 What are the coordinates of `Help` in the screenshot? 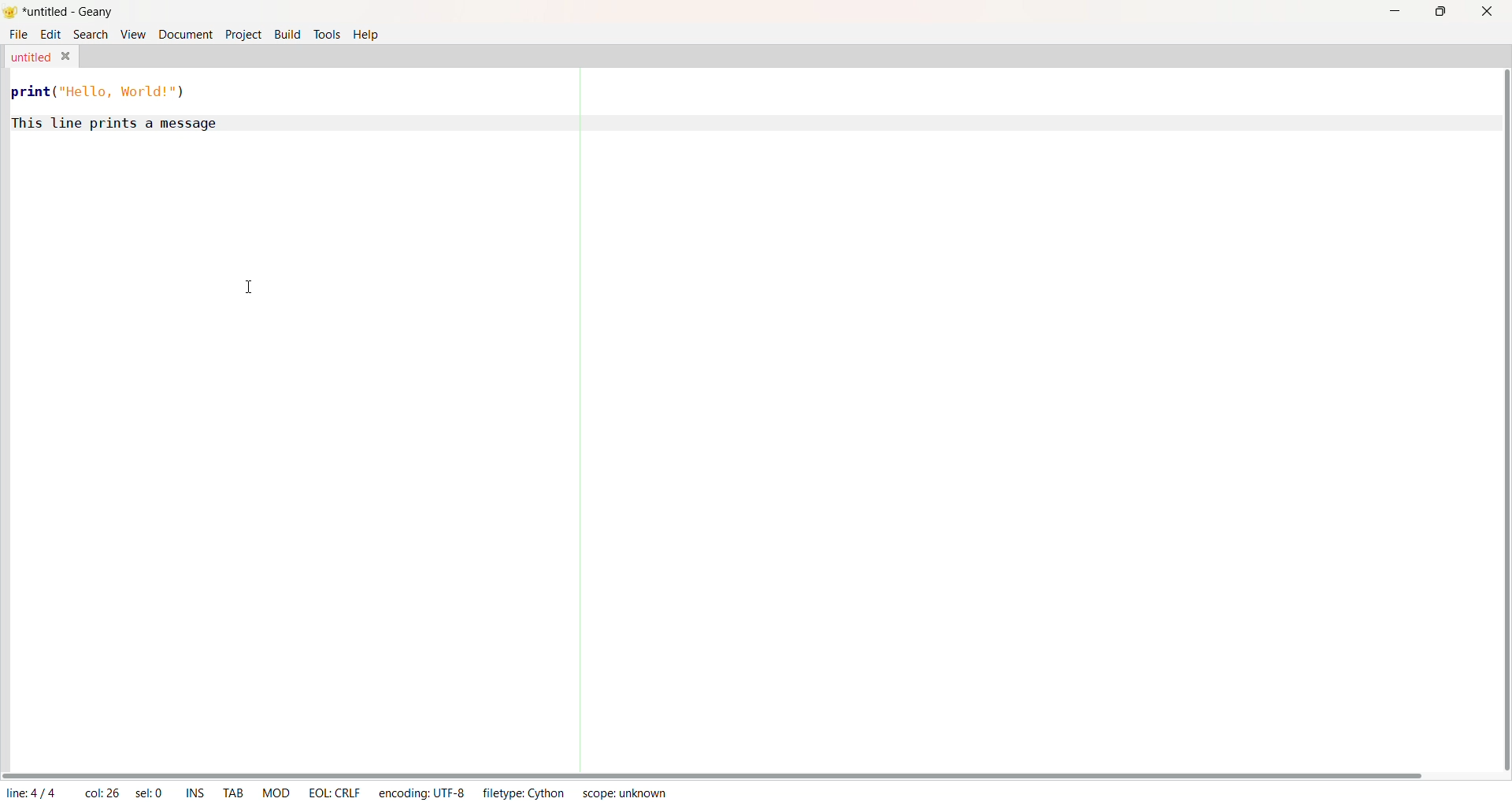 It's located at (370, 37).